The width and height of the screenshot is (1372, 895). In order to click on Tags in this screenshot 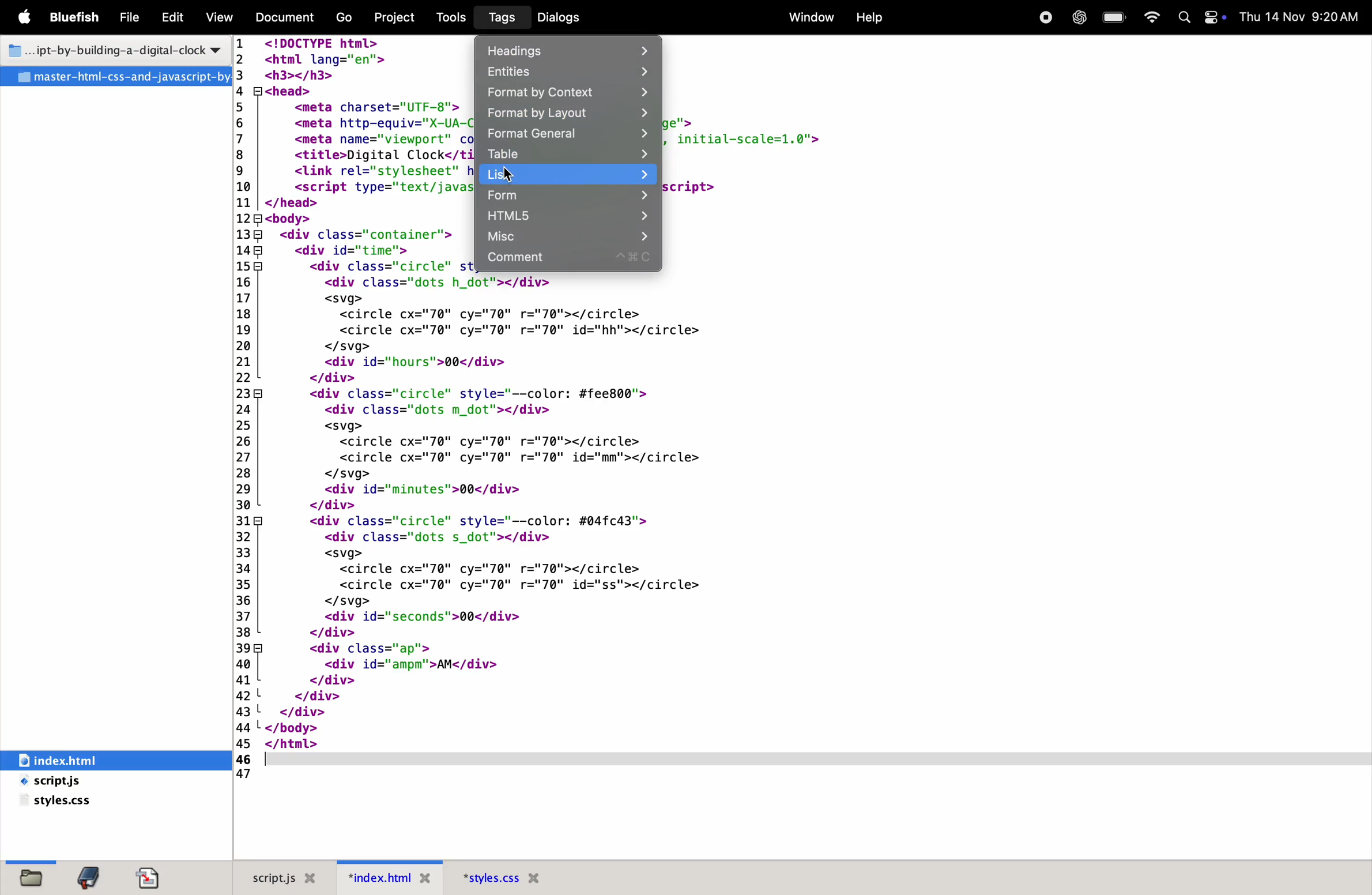, I will do `click(499, 17)`.